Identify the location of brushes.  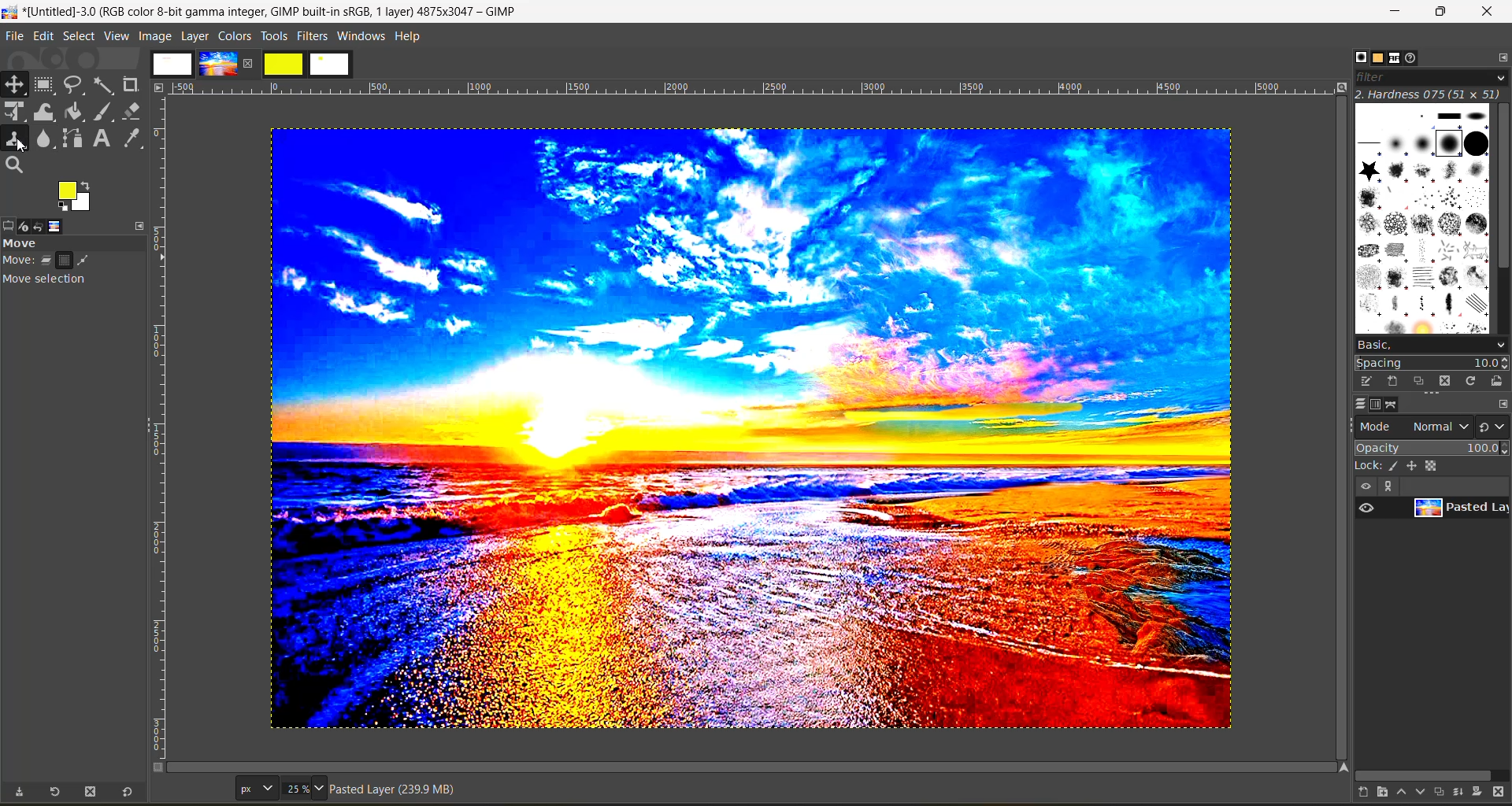
(1355, 57).